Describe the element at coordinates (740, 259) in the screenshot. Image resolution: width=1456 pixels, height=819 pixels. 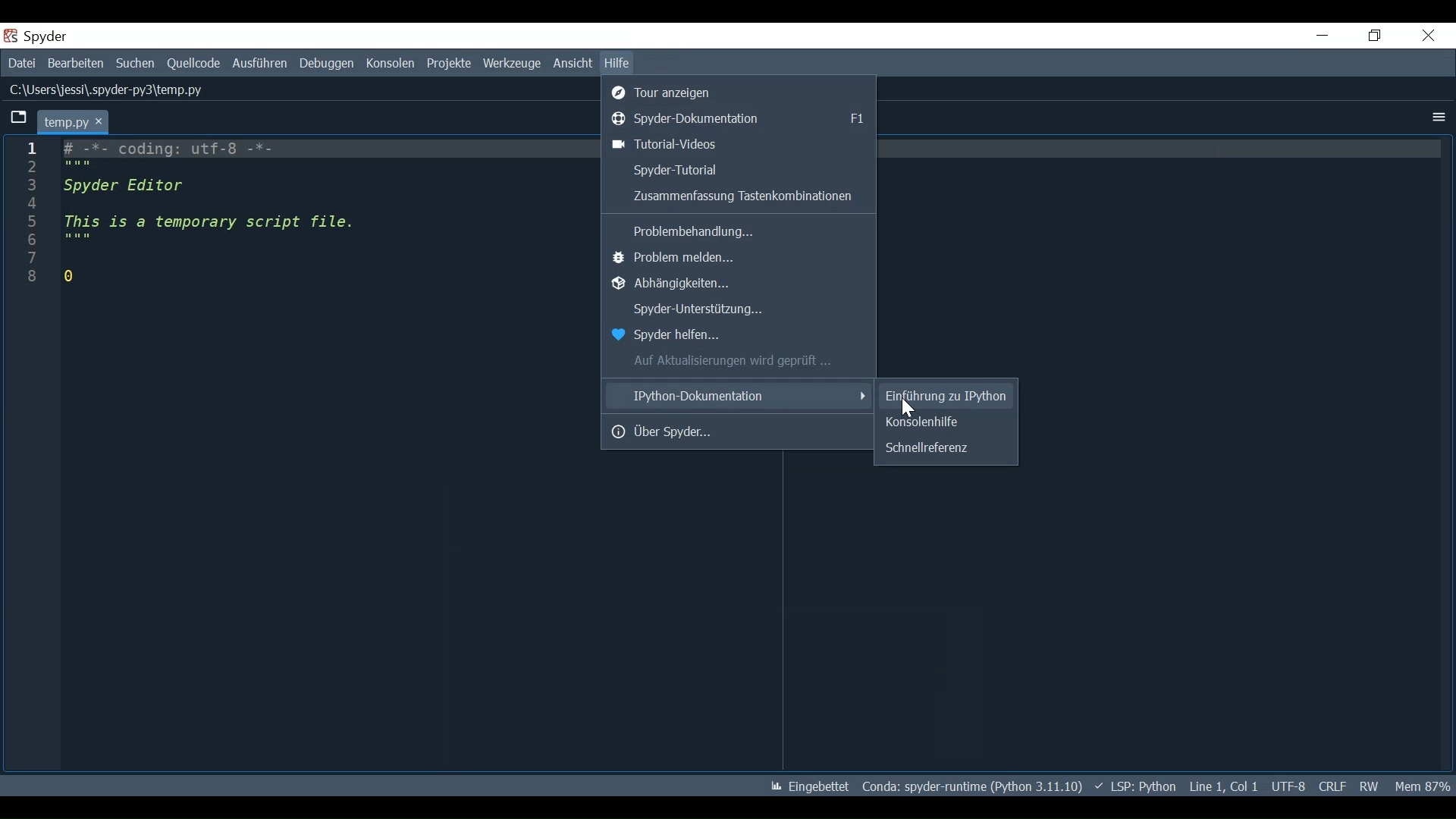
I see `Report problem` at that location.